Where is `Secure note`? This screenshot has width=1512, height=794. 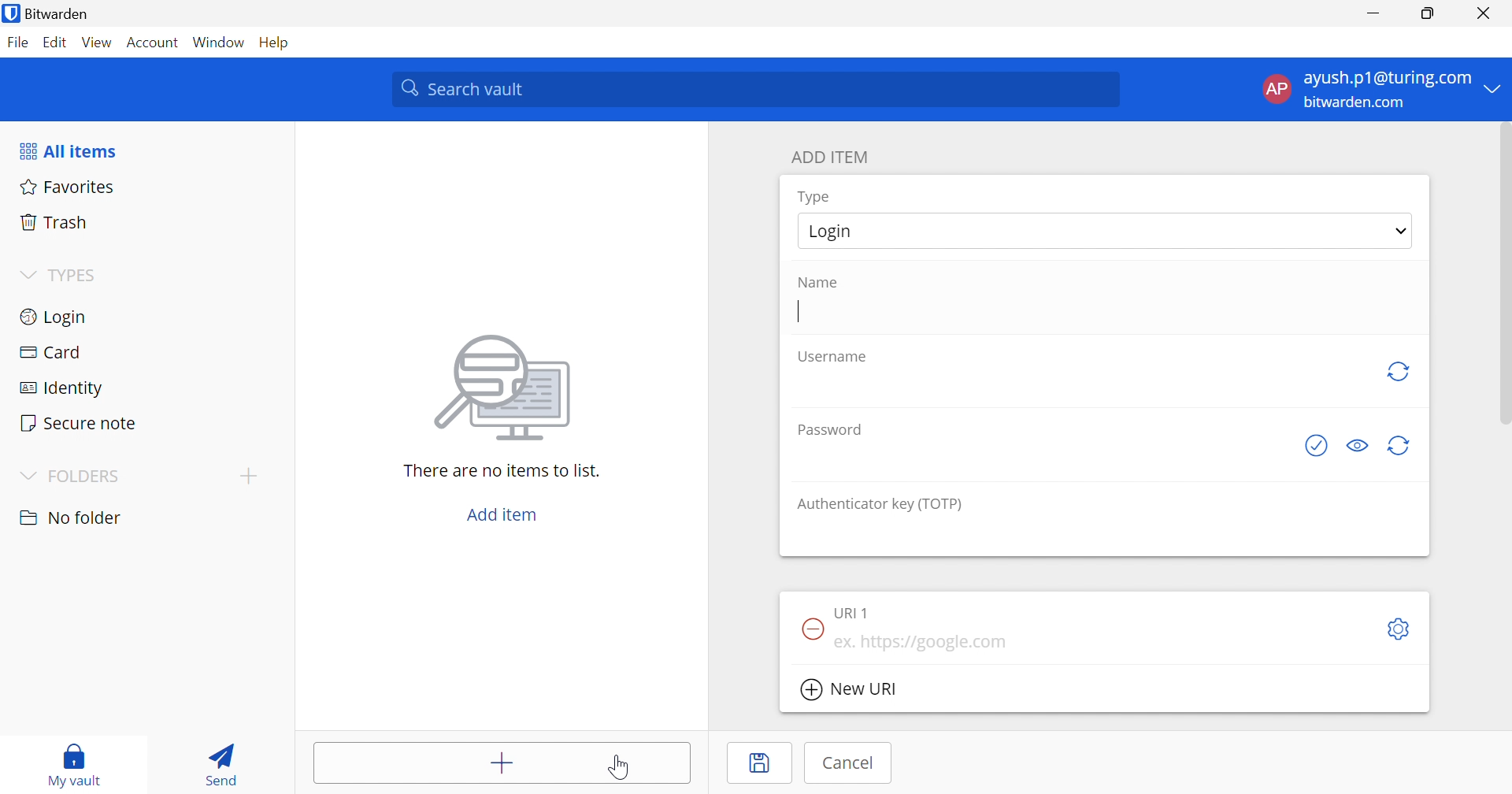 Secure note is located at coordinates (77, 425).